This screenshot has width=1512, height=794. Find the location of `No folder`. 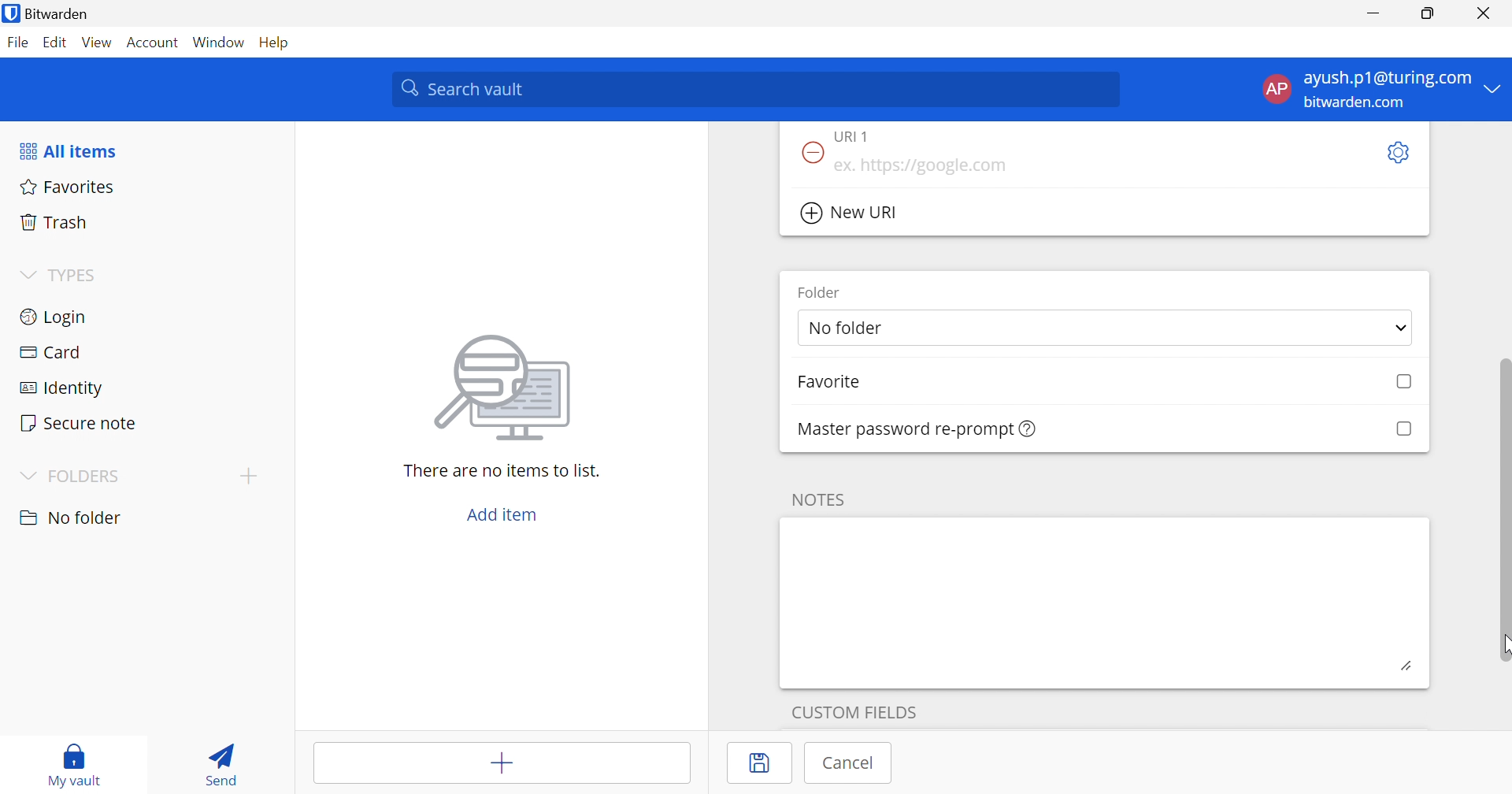

No folder is located at coordinates (848, 329).